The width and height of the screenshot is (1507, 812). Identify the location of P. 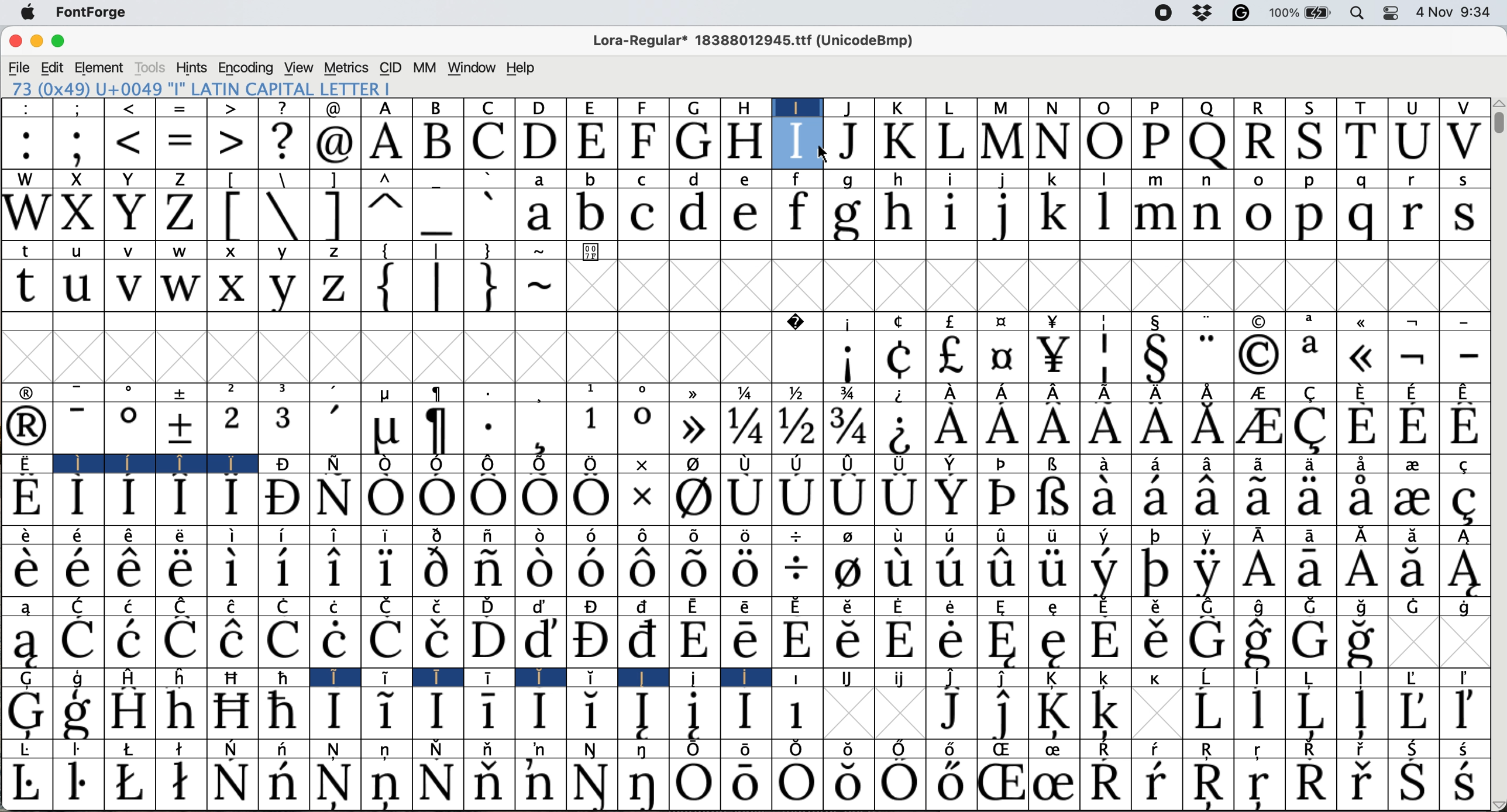
(1152, 109).